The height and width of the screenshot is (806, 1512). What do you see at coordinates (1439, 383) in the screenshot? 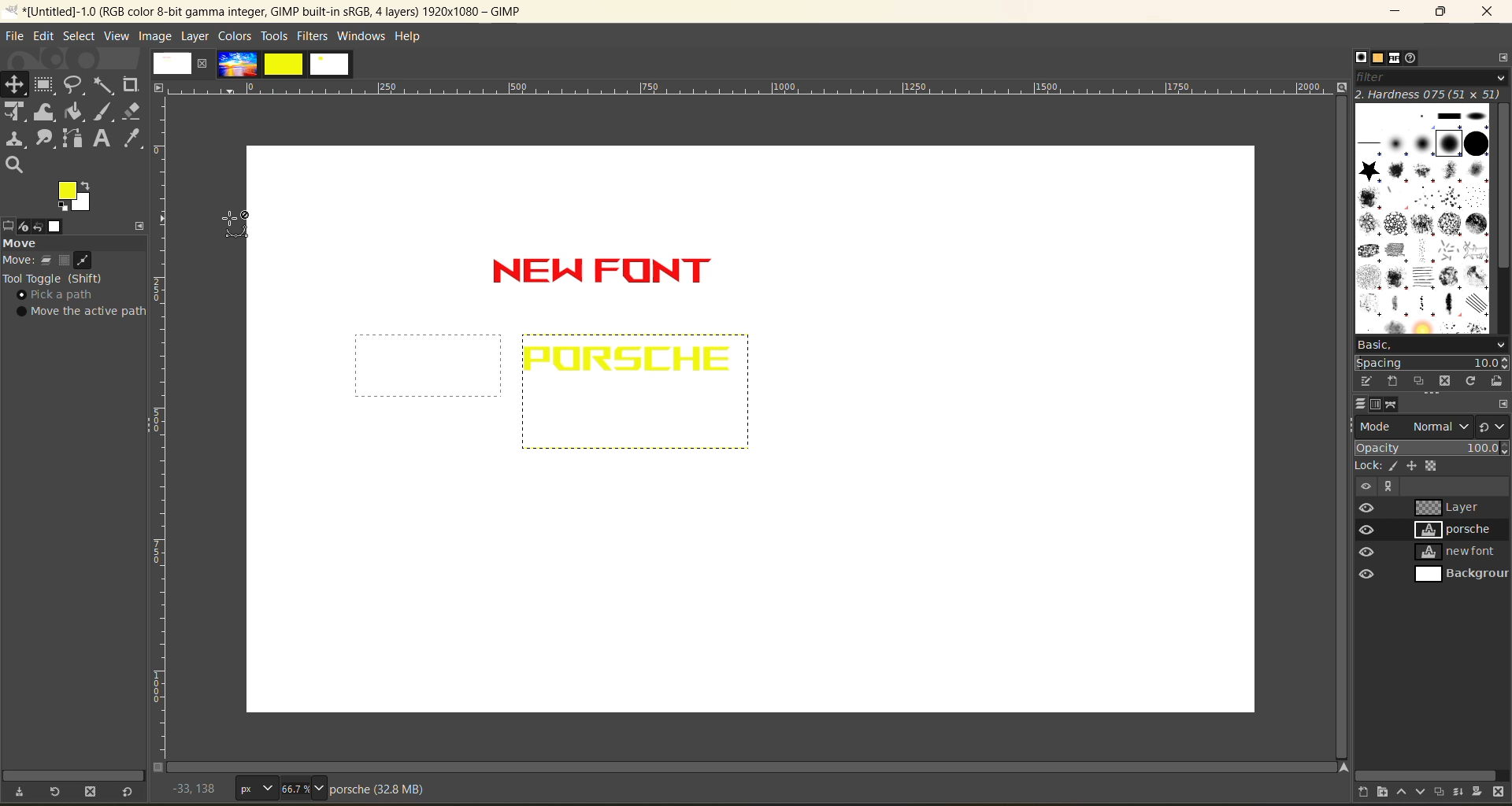
I see `delete this brush` at bounding box center [1439, 383].